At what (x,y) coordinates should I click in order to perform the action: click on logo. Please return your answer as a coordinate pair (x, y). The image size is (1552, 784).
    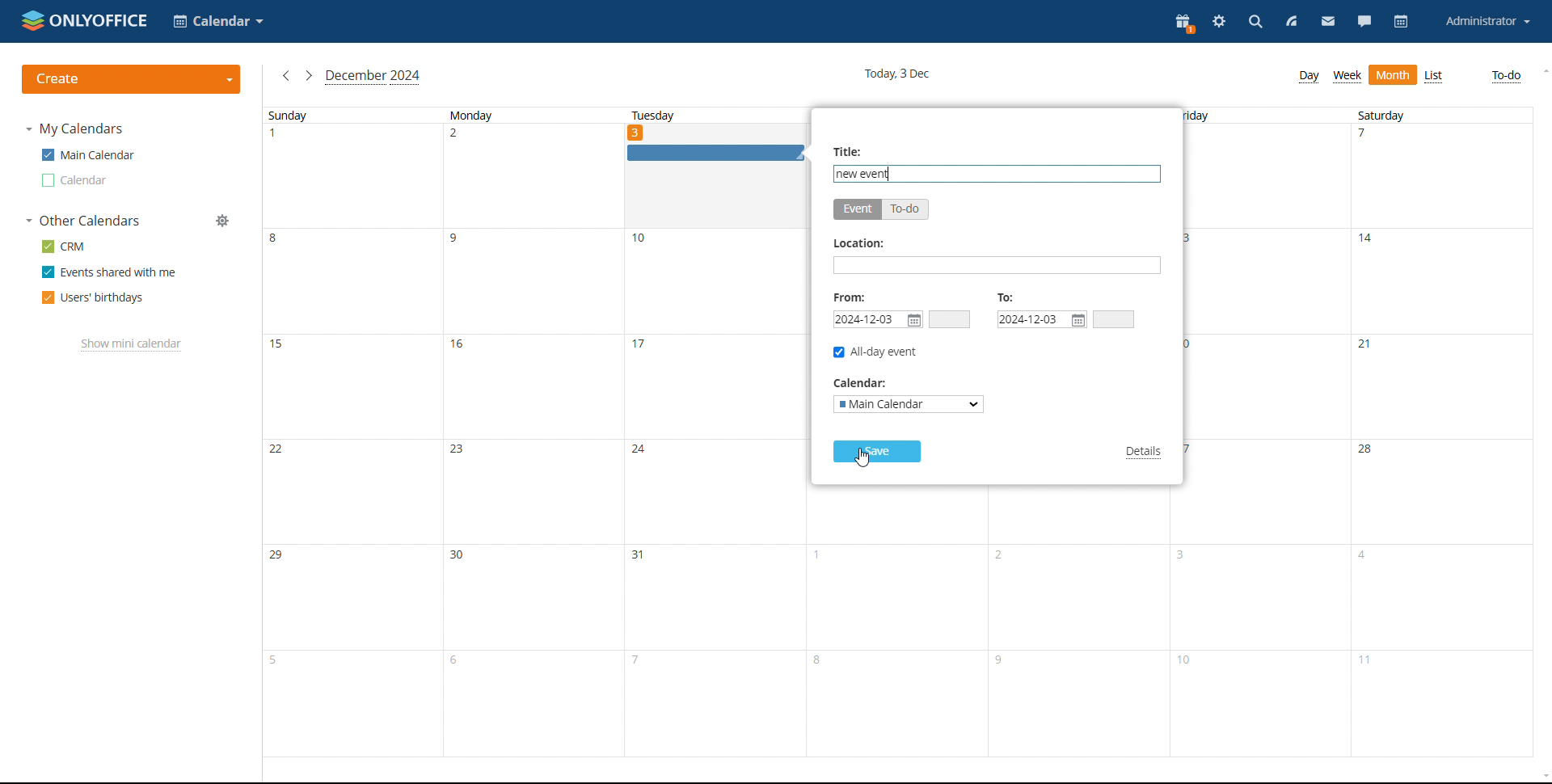
    Looking at the image, I should click on (85, 20).